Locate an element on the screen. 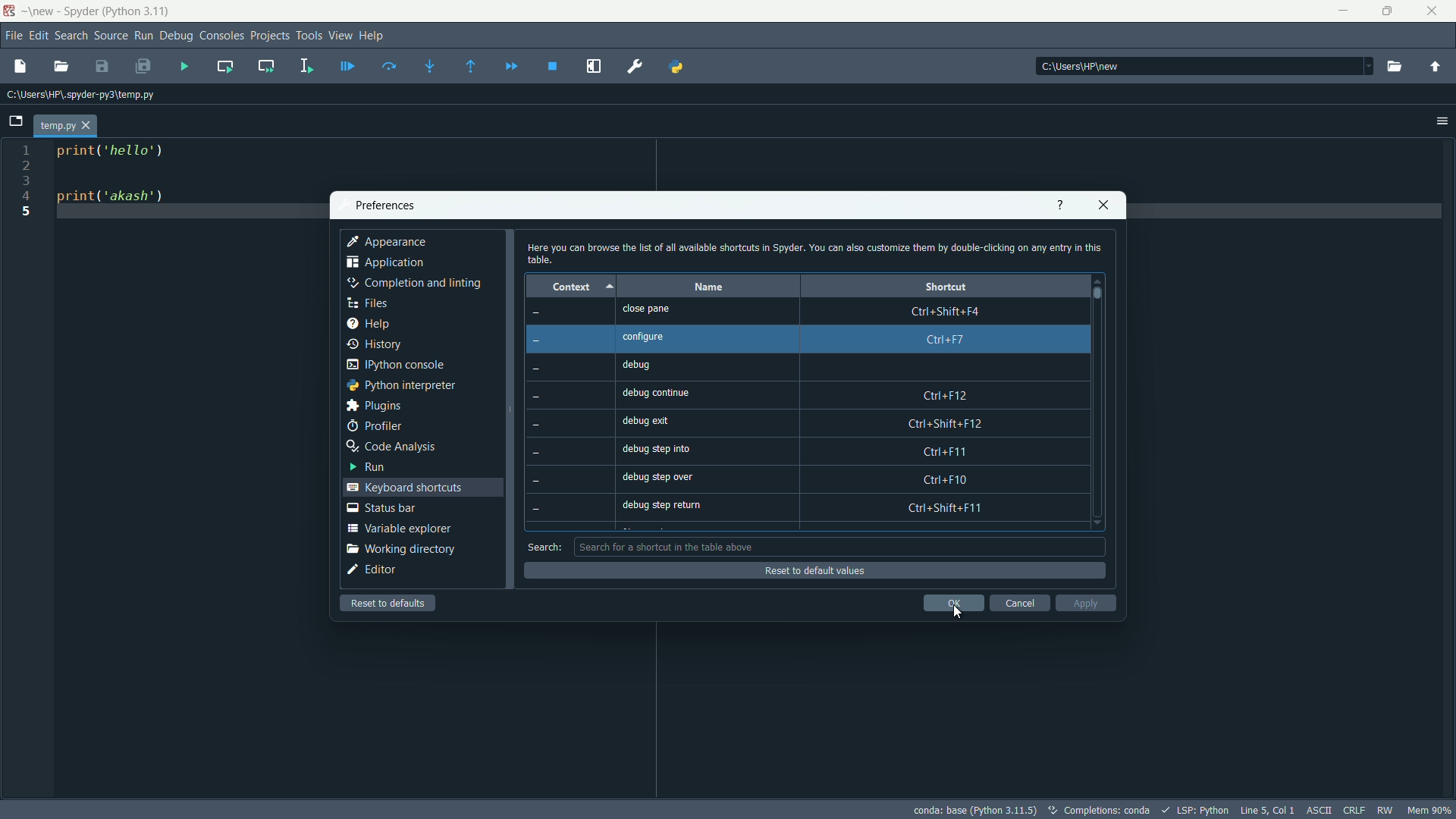 Image resolution: width=1456 pixels, height=819 pixels. source menu is located at coordinates (111, 36).